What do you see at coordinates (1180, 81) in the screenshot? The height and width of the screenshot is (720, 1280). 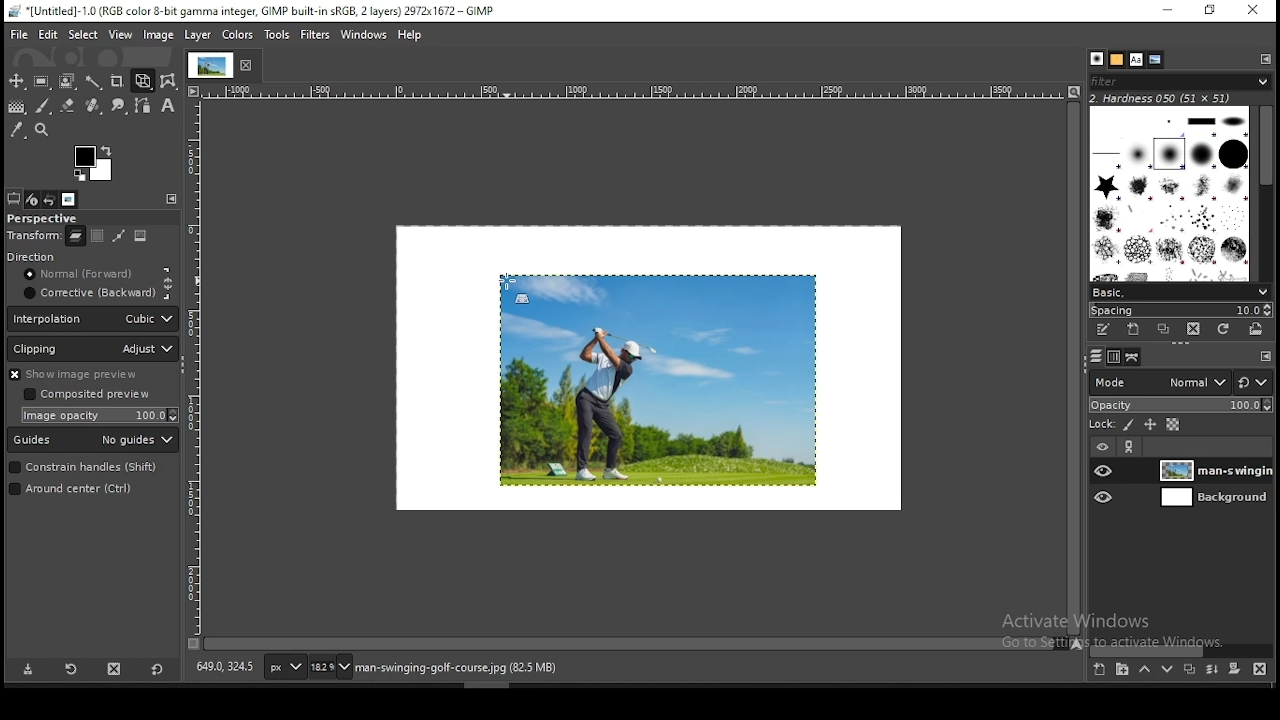 I see `brushes filter` at bounding box center [1180, 81].